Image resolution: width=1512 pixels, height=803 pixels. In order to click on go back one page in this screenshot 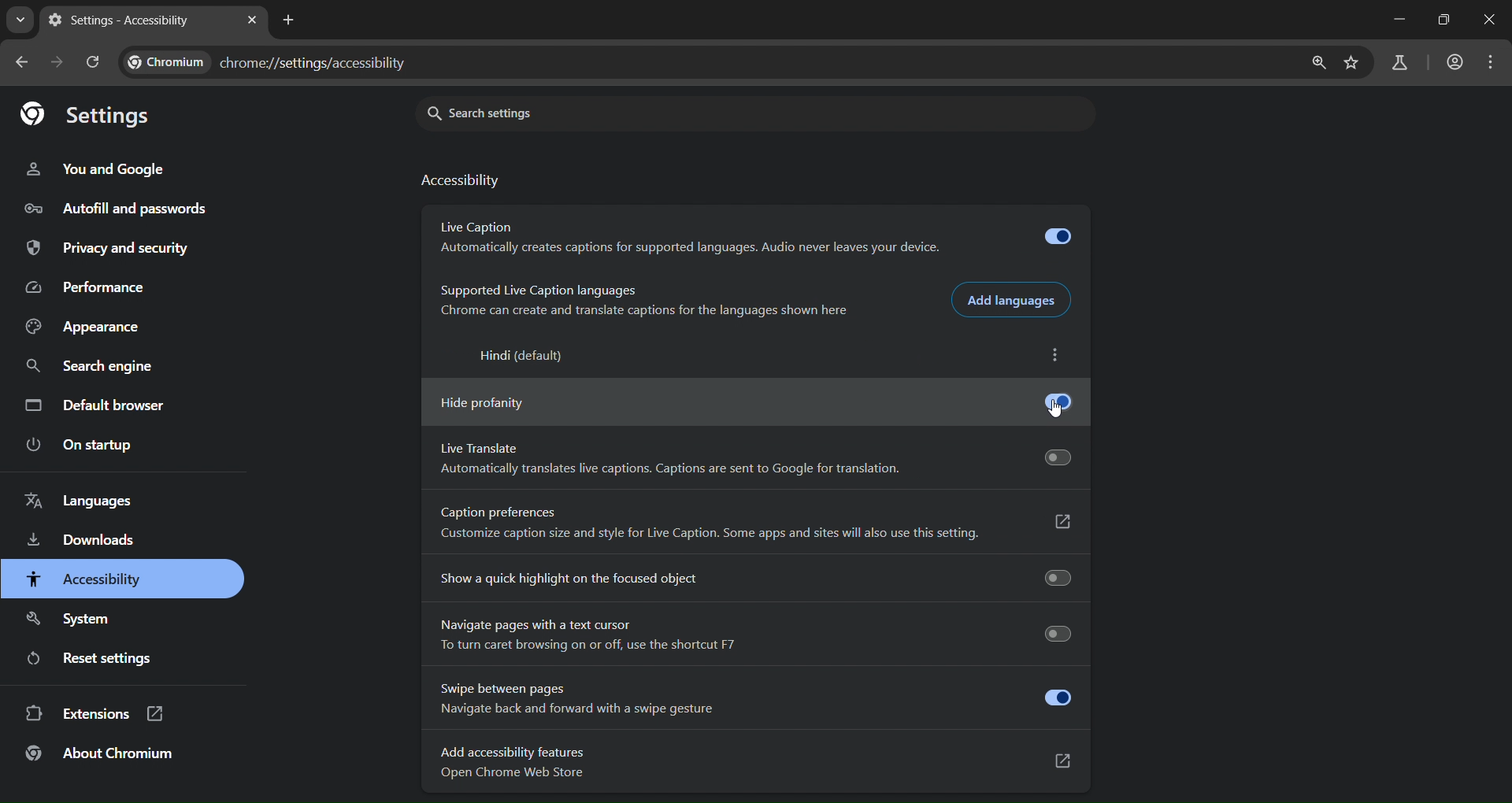, I will do `click(20, 62)`.